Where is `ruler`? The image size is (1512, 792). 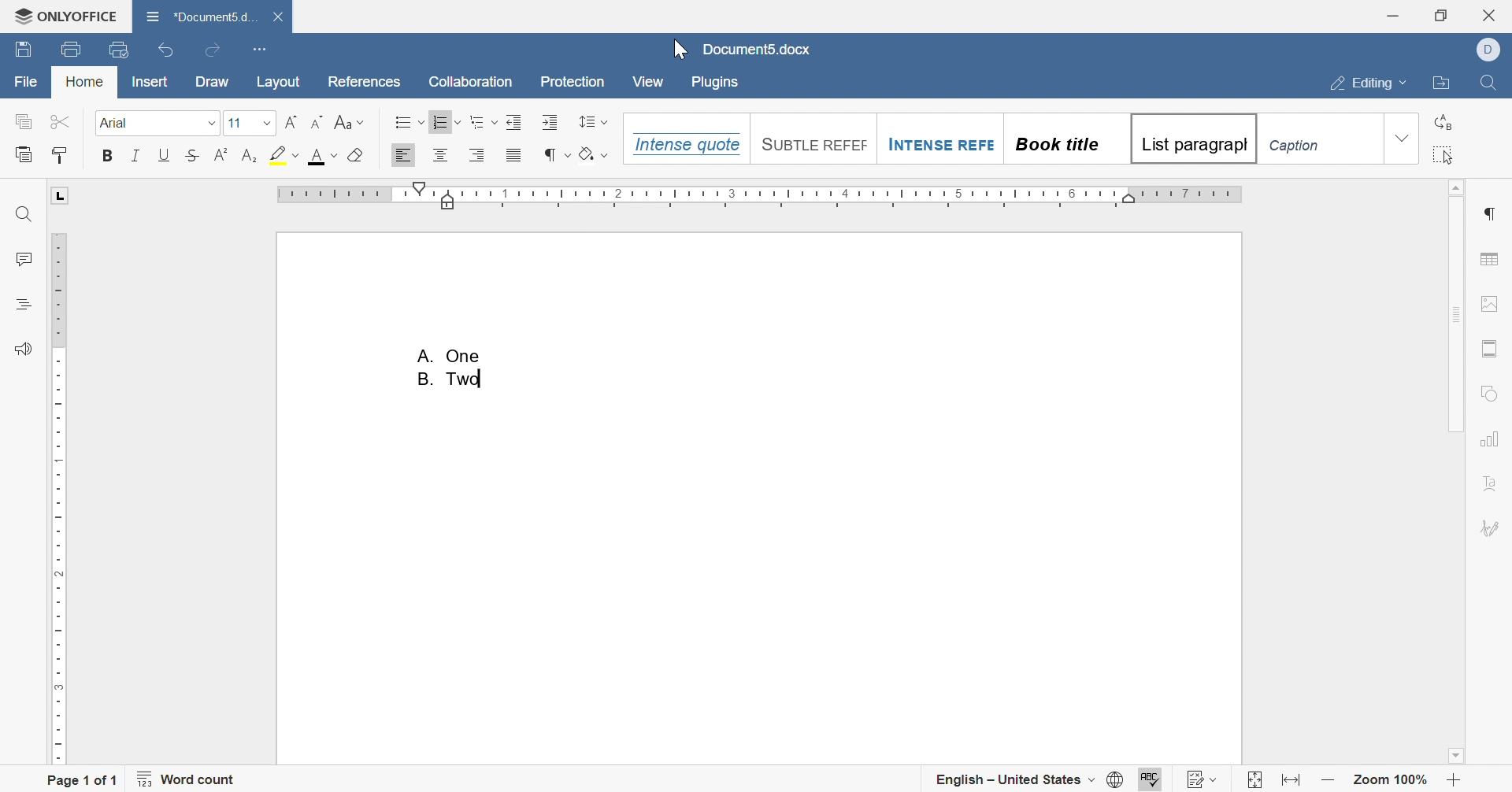 ruler is located at coordinates (57, 498).